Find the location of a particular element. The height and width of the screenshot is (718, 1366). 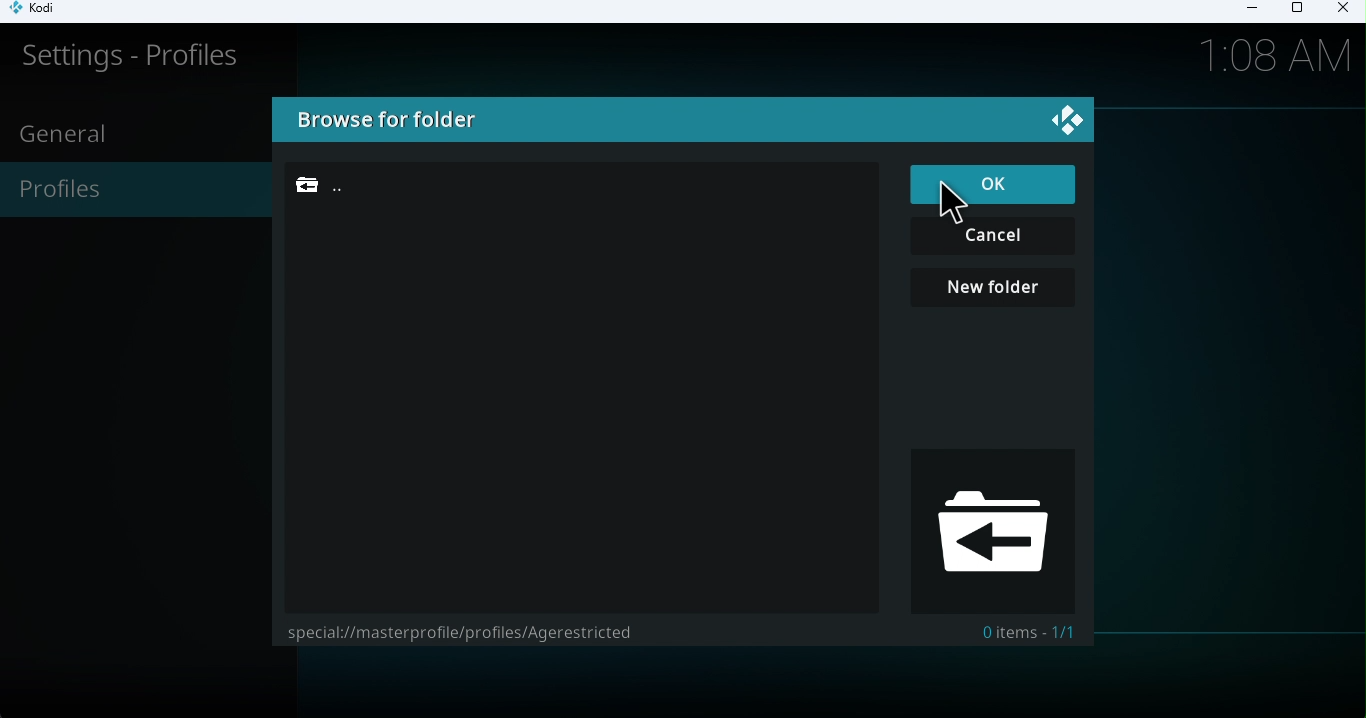

Maximize is located at coordinates (1296, 12).